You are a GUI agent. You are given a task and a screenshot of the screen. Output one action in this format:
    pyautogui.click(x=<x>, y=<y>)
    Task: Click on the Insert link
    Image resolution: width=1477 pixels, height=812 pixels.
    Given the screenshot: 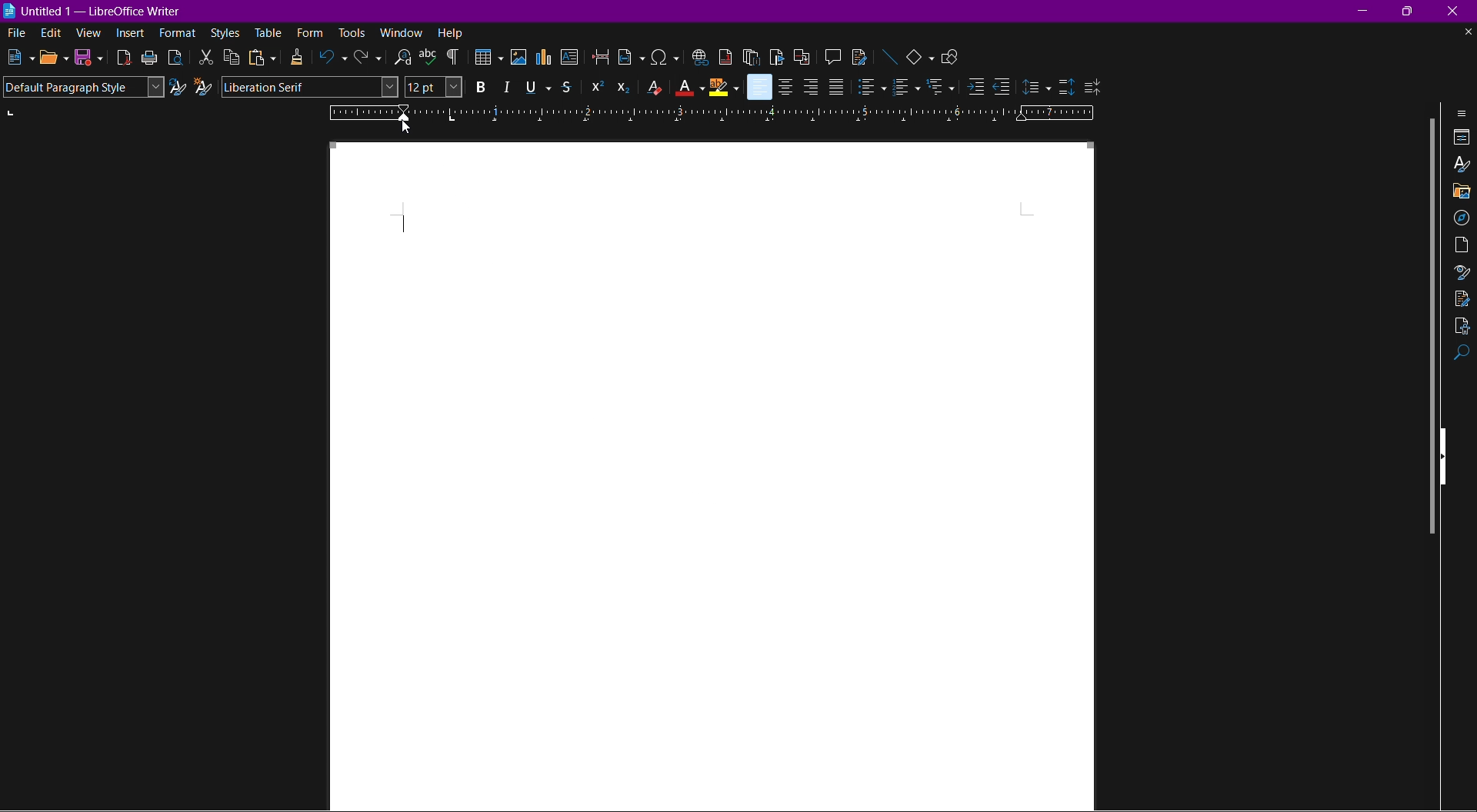 What is the action you would take?
    pyautogui.click(x=698, y=55)
    